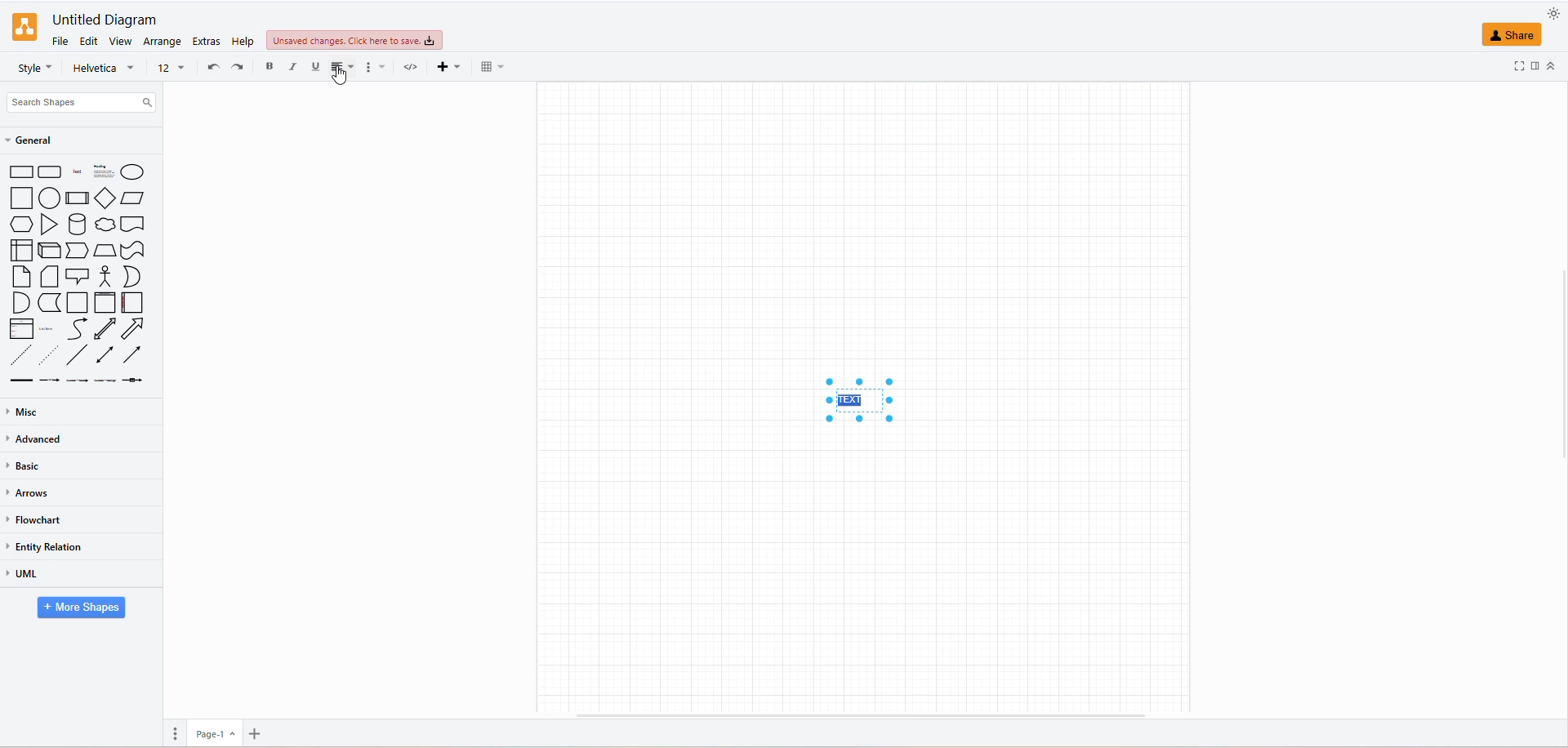 The height and width of the screenshot is (748, 1568). I want to click on share, so click(1512, 34).